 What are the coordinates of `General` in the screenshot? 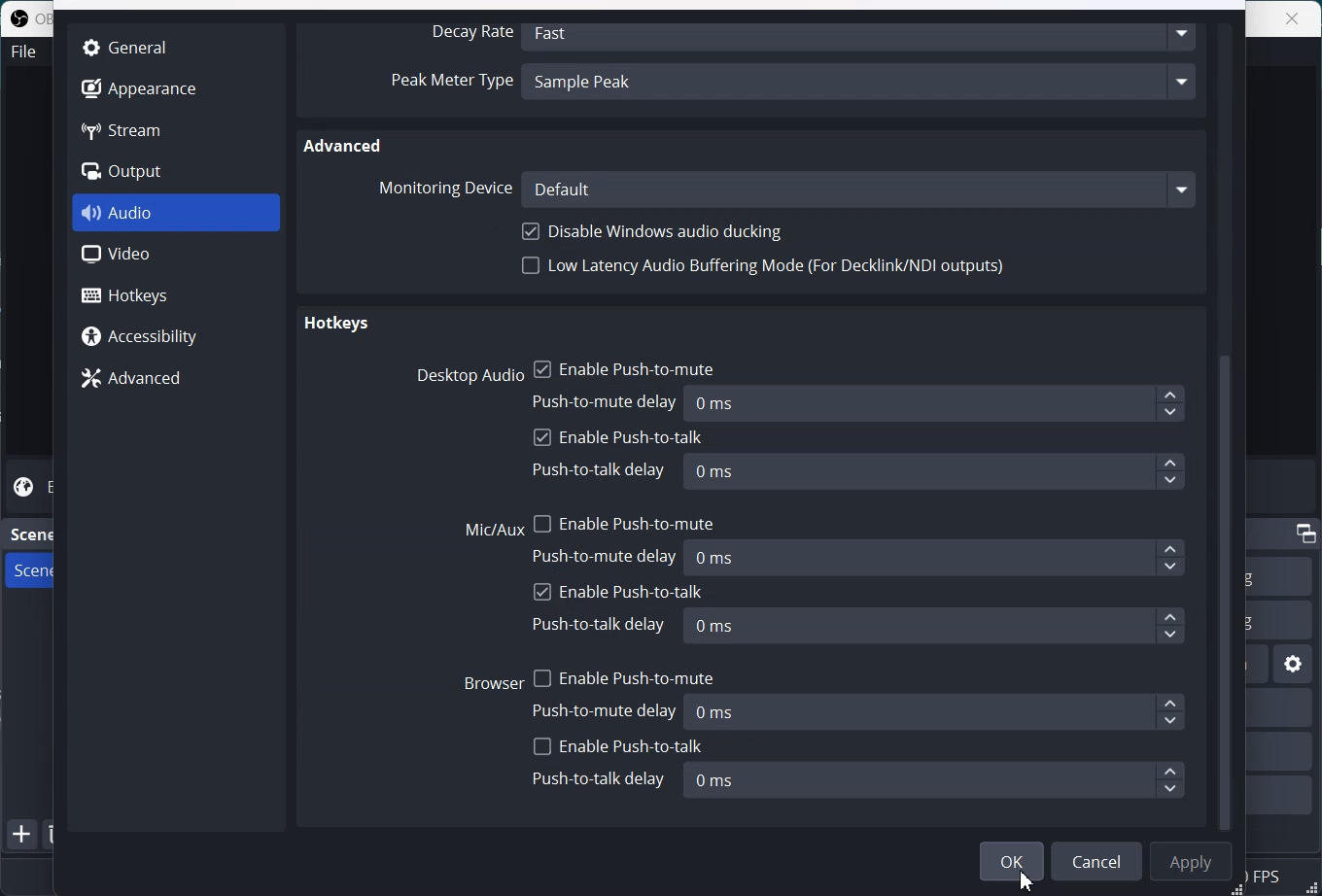 It's located at (134, 47).